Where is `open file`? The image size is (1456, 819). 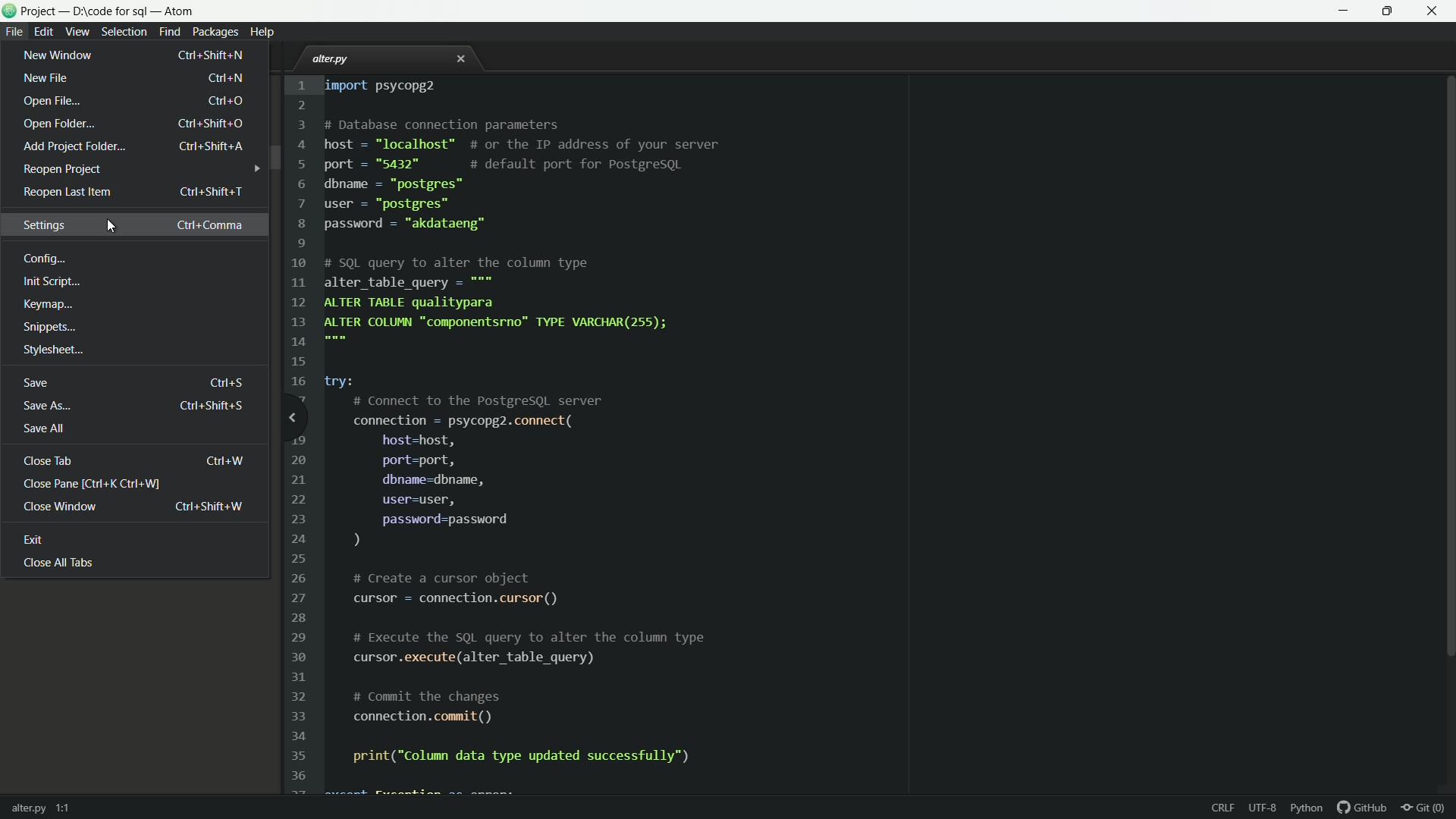
open file is located at coordinates (136, 101).